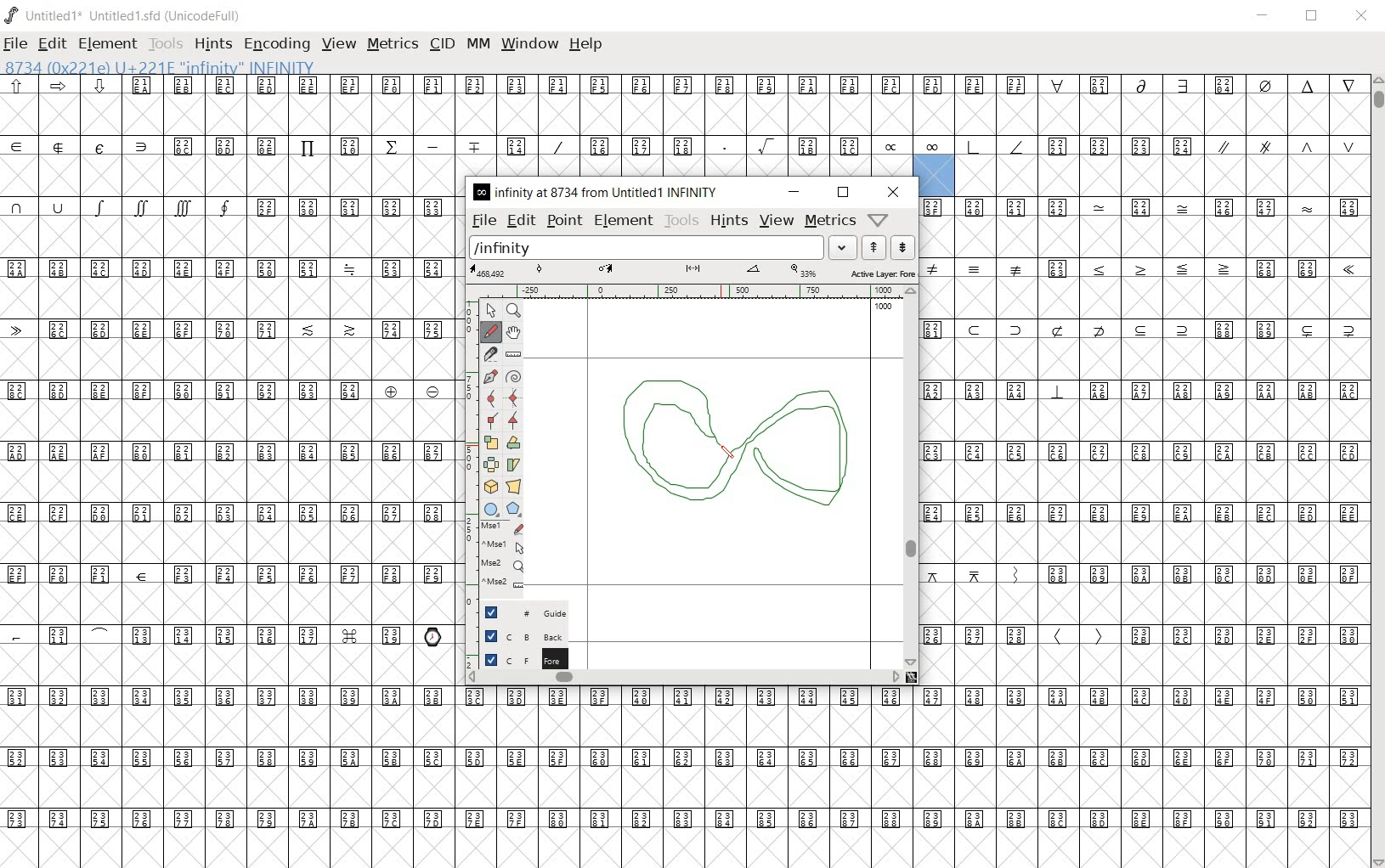  I want to click on help, so click(586, 43).